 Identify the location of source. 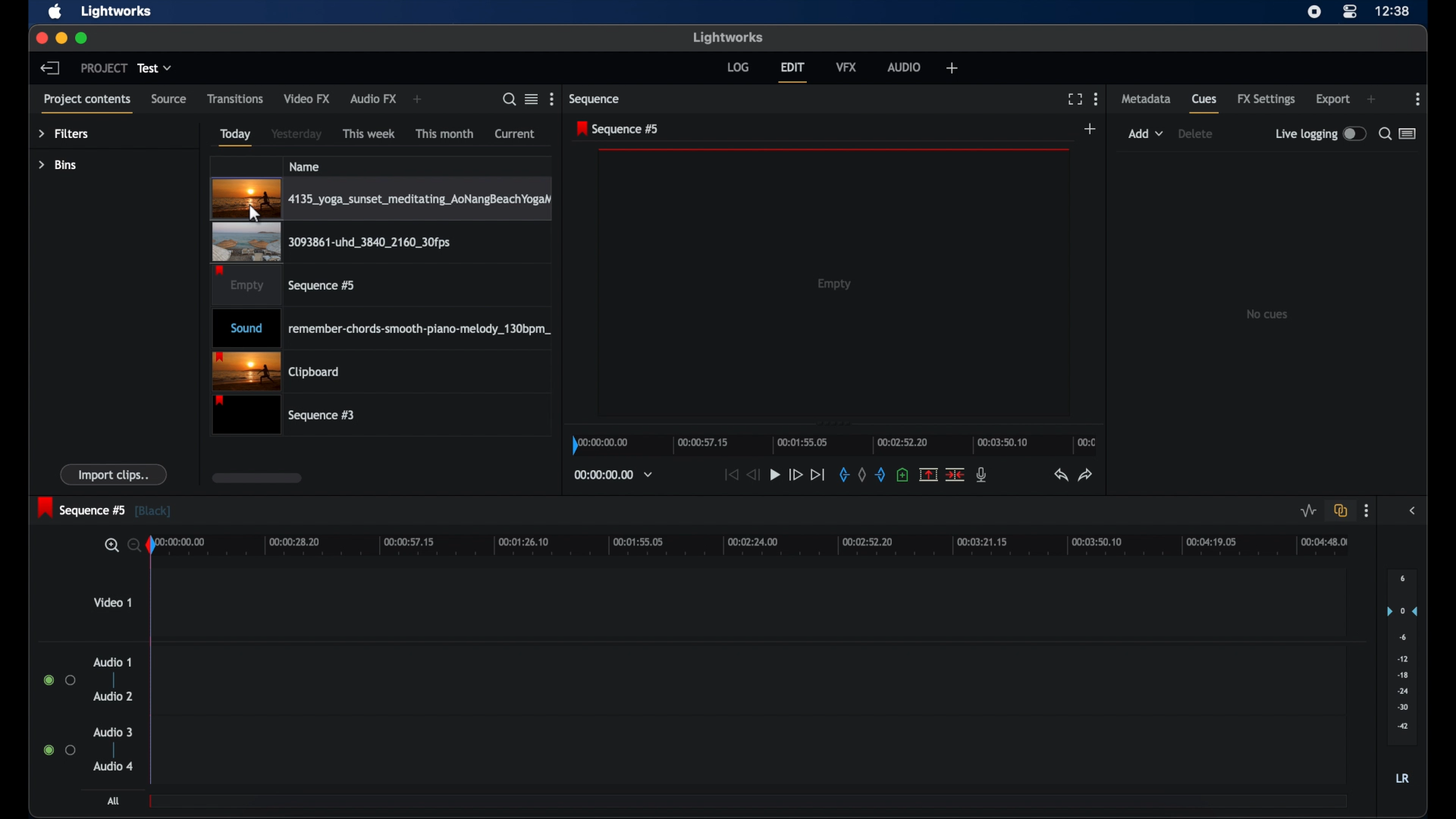
(168, 99).